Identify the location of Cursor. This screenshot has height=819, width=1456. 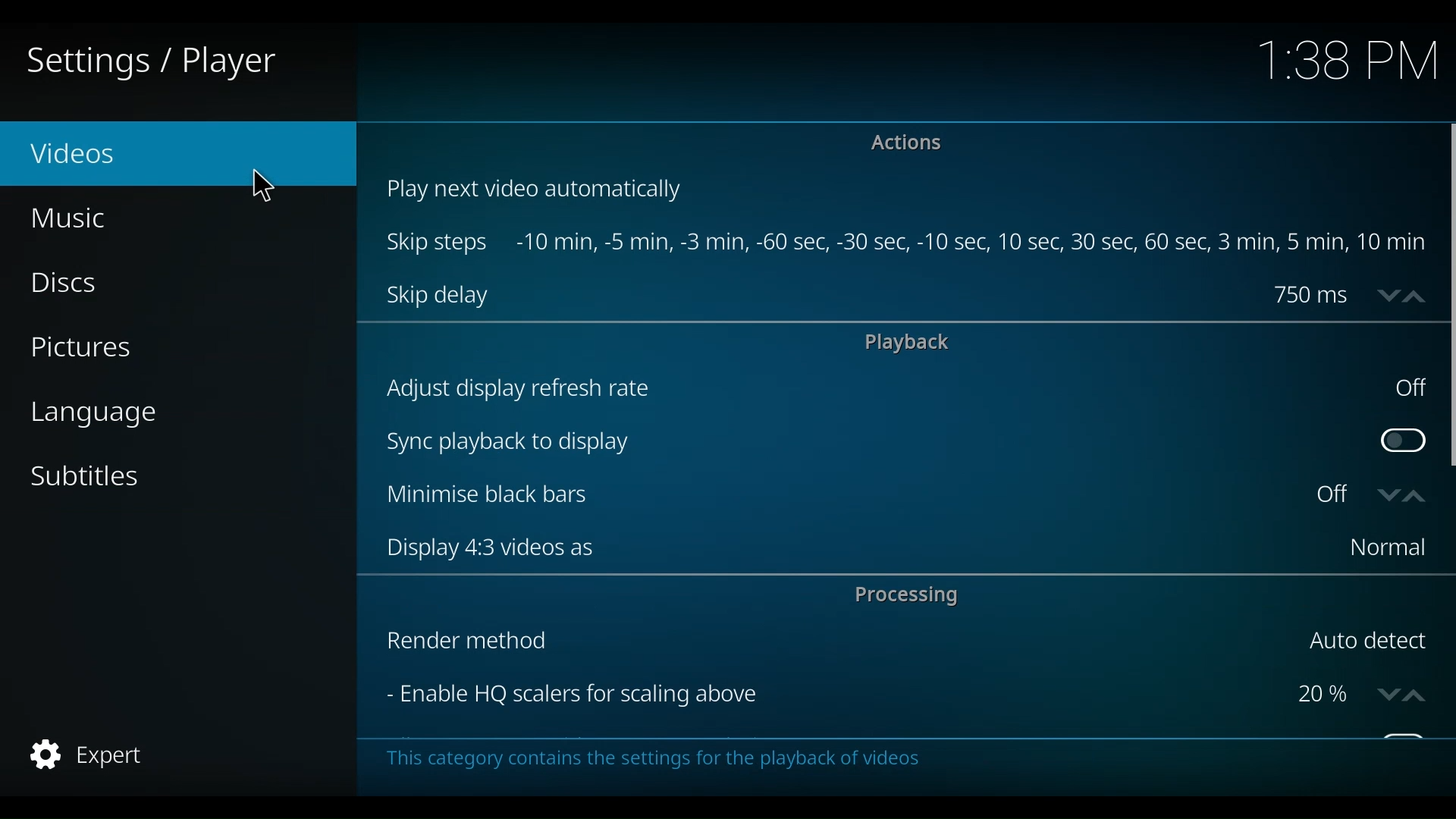
(265, 187).